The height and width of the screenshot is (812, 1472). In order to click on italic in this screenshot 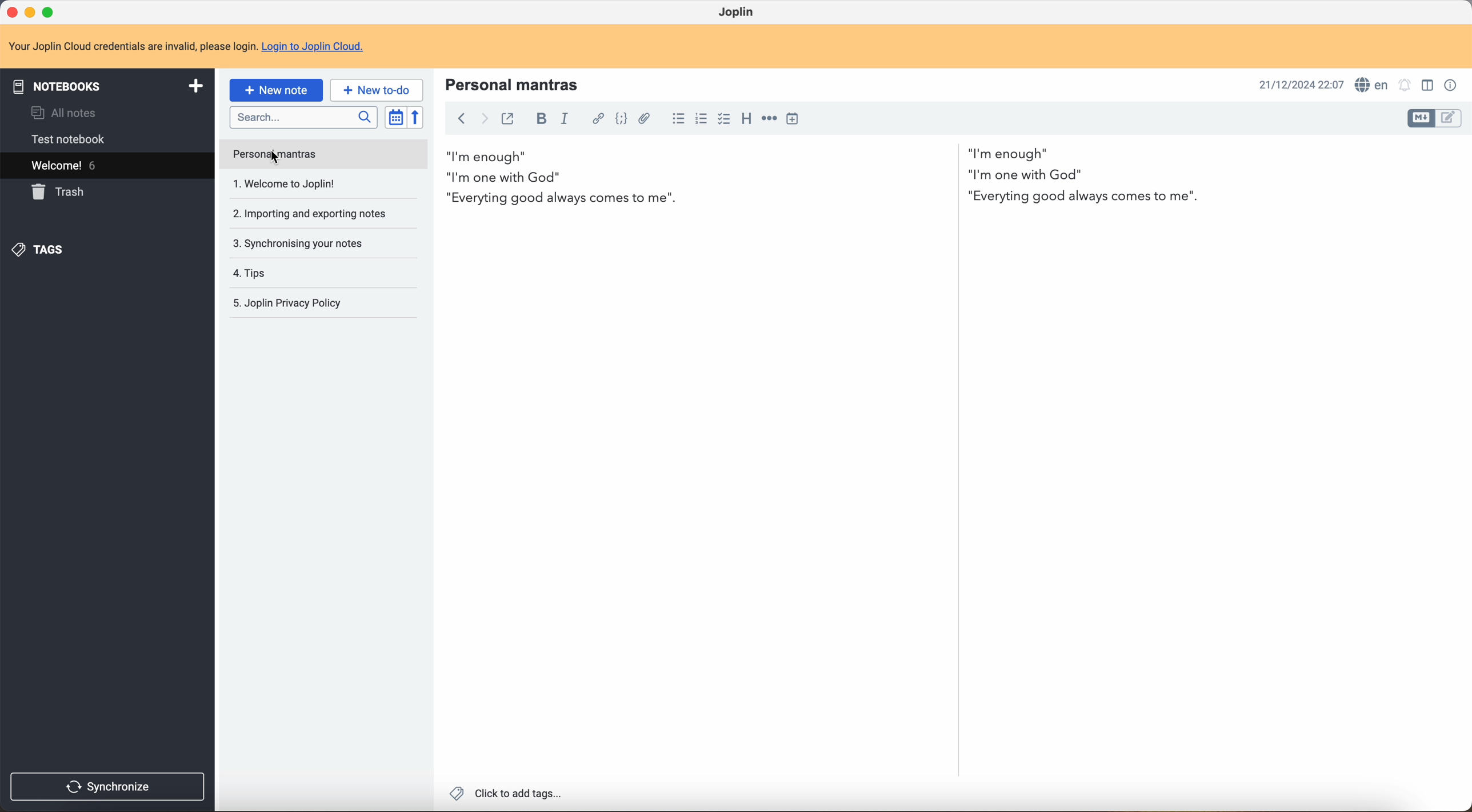, I will do `click(567, 118)`.